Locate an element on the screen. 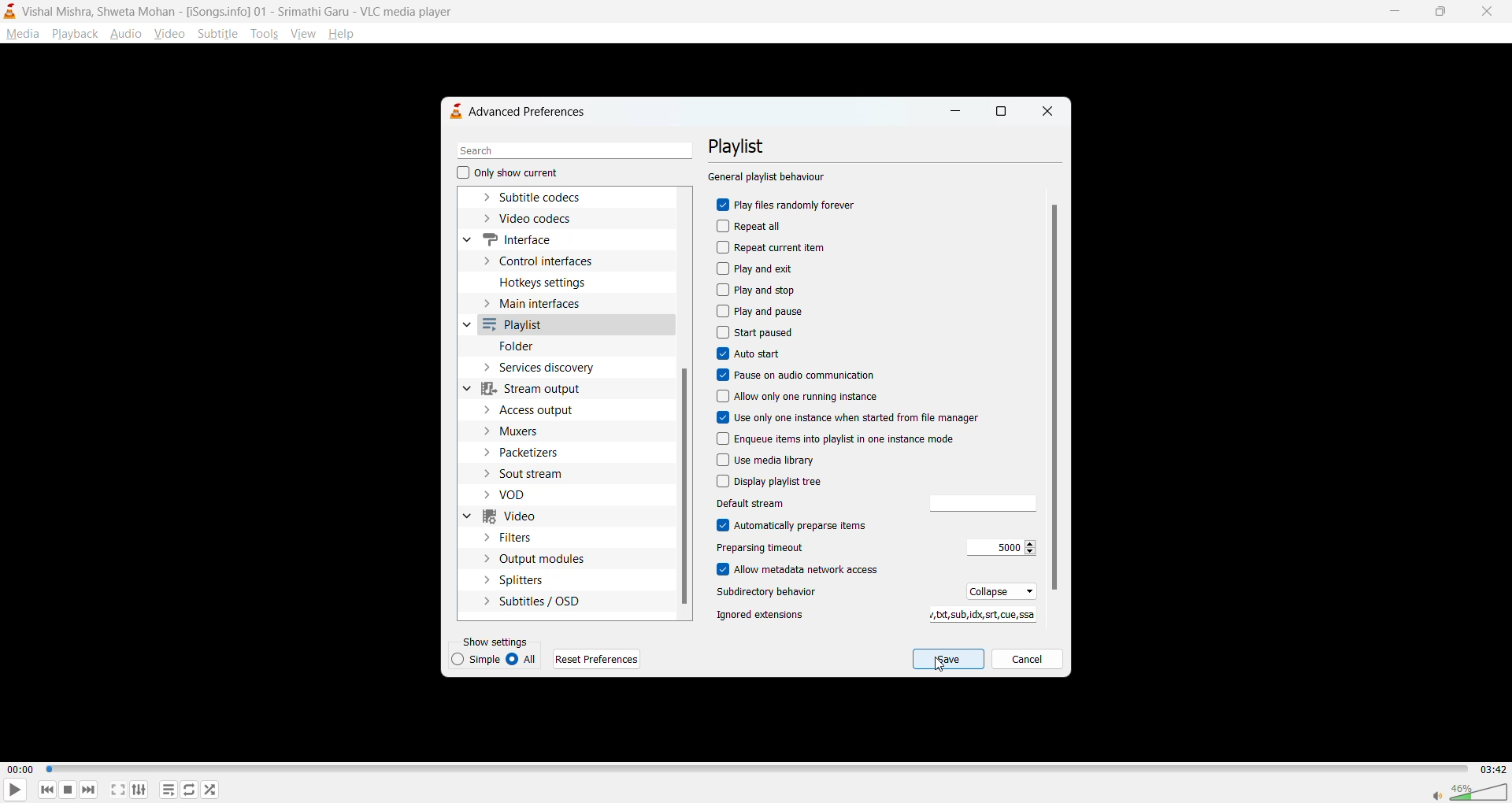 The height and width of the screenshot is (803, 1512). play is located at coordinates (9, 791).